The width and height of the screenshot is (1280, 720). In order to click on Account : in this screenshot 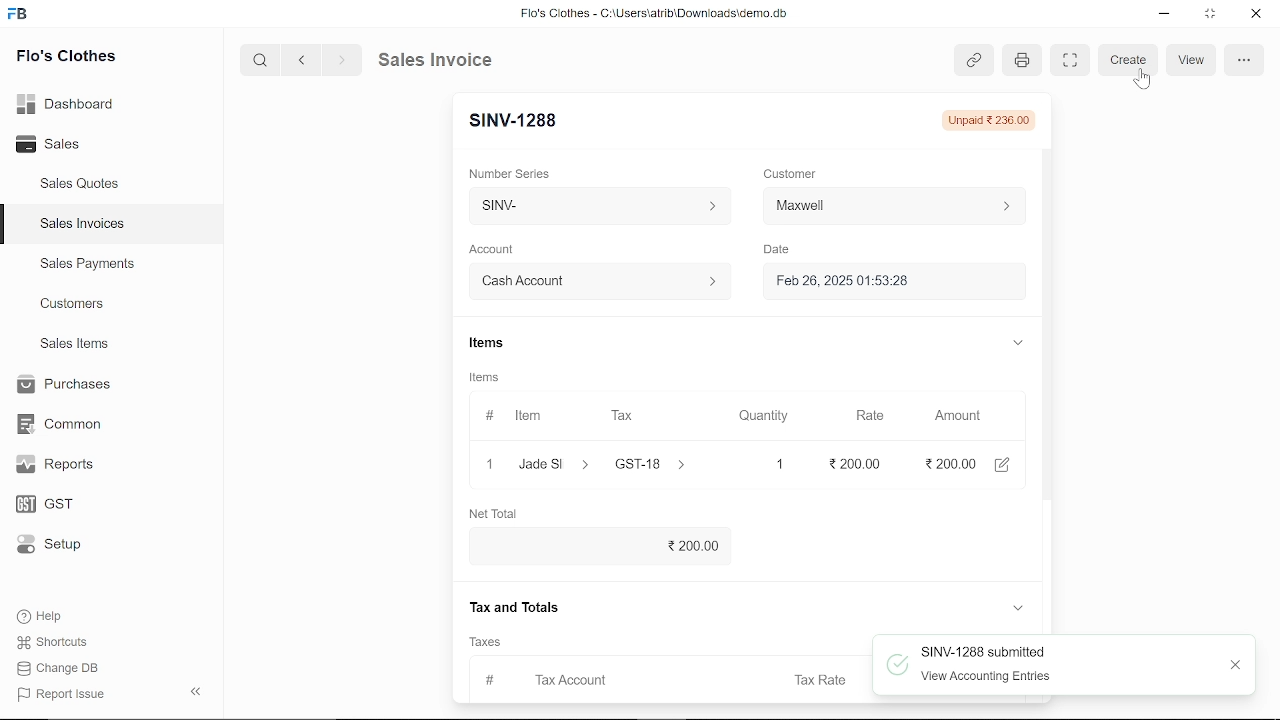, I will do `click(598, 280)`.